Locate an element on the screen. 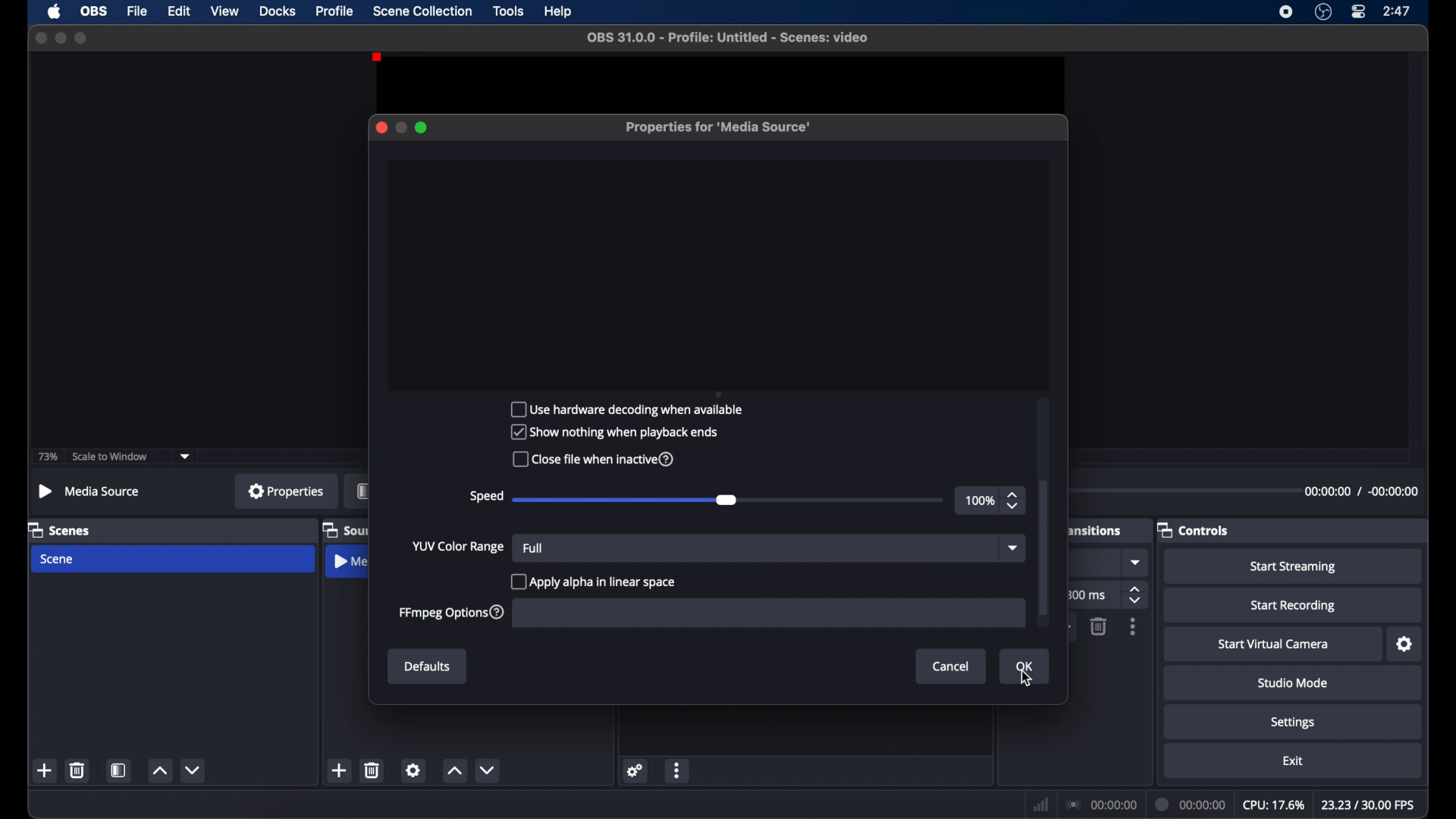 The width and height of the screenshot is (1456, 819). 100% is located at coordinates (980, 501).